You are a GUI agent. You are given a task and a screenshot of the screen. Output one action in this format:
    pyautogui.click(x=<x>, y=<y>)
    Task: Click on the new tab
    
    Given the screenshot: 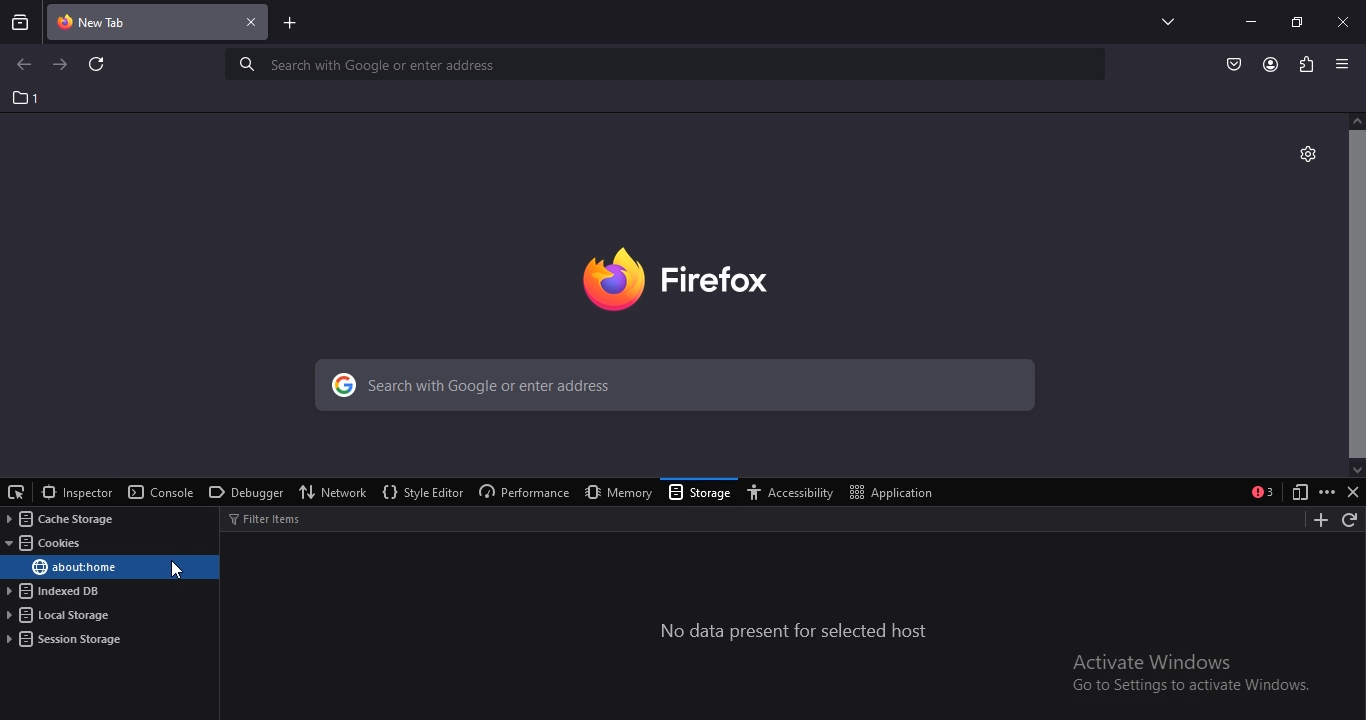 What is the action you would take?
    pyautogui.click(x=291, y=25)
    